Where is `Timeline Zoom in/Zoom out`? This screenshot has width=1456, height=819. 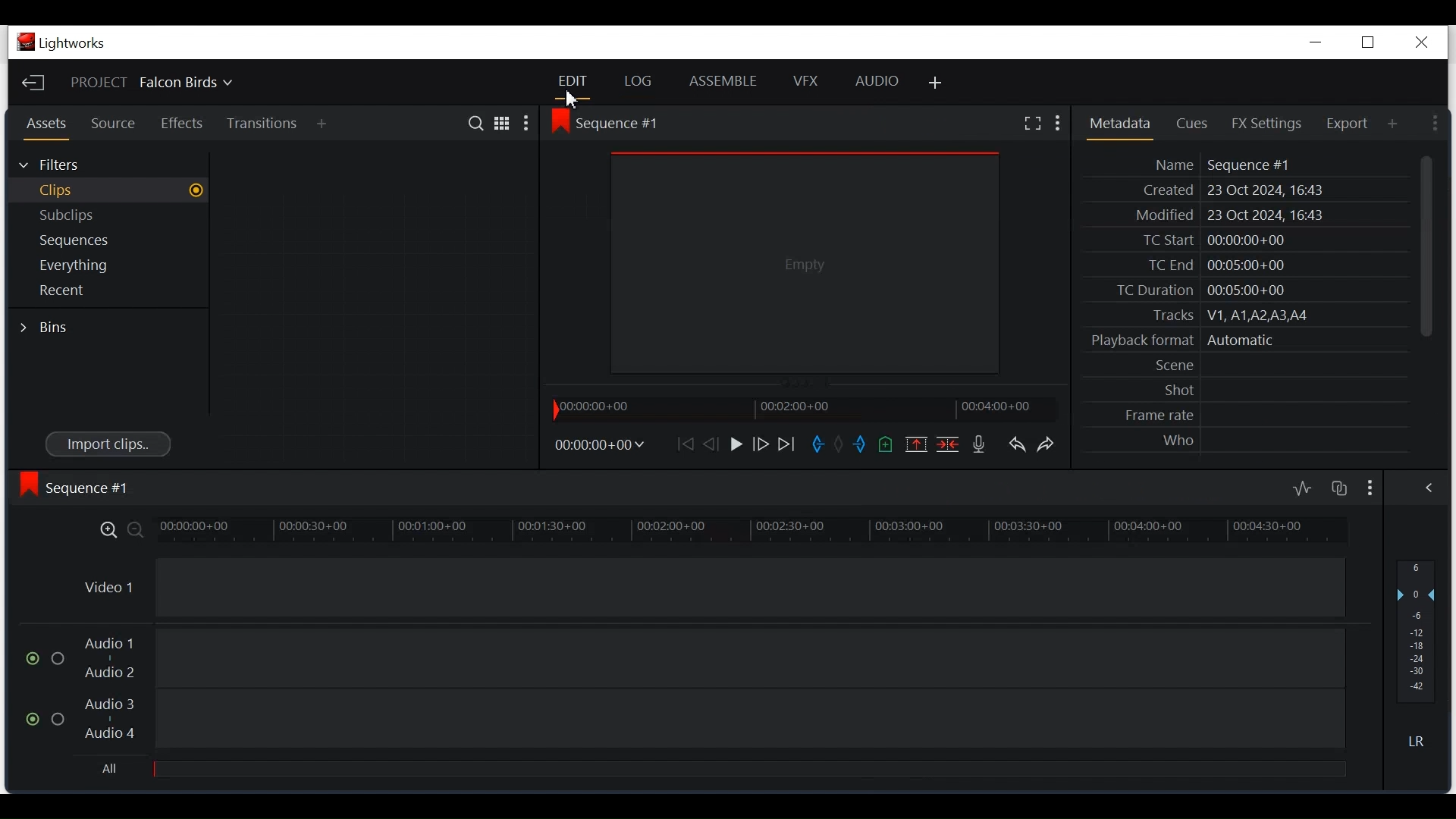
Timeline Zoom in/Zoom out is located at coordinates (683, 529).